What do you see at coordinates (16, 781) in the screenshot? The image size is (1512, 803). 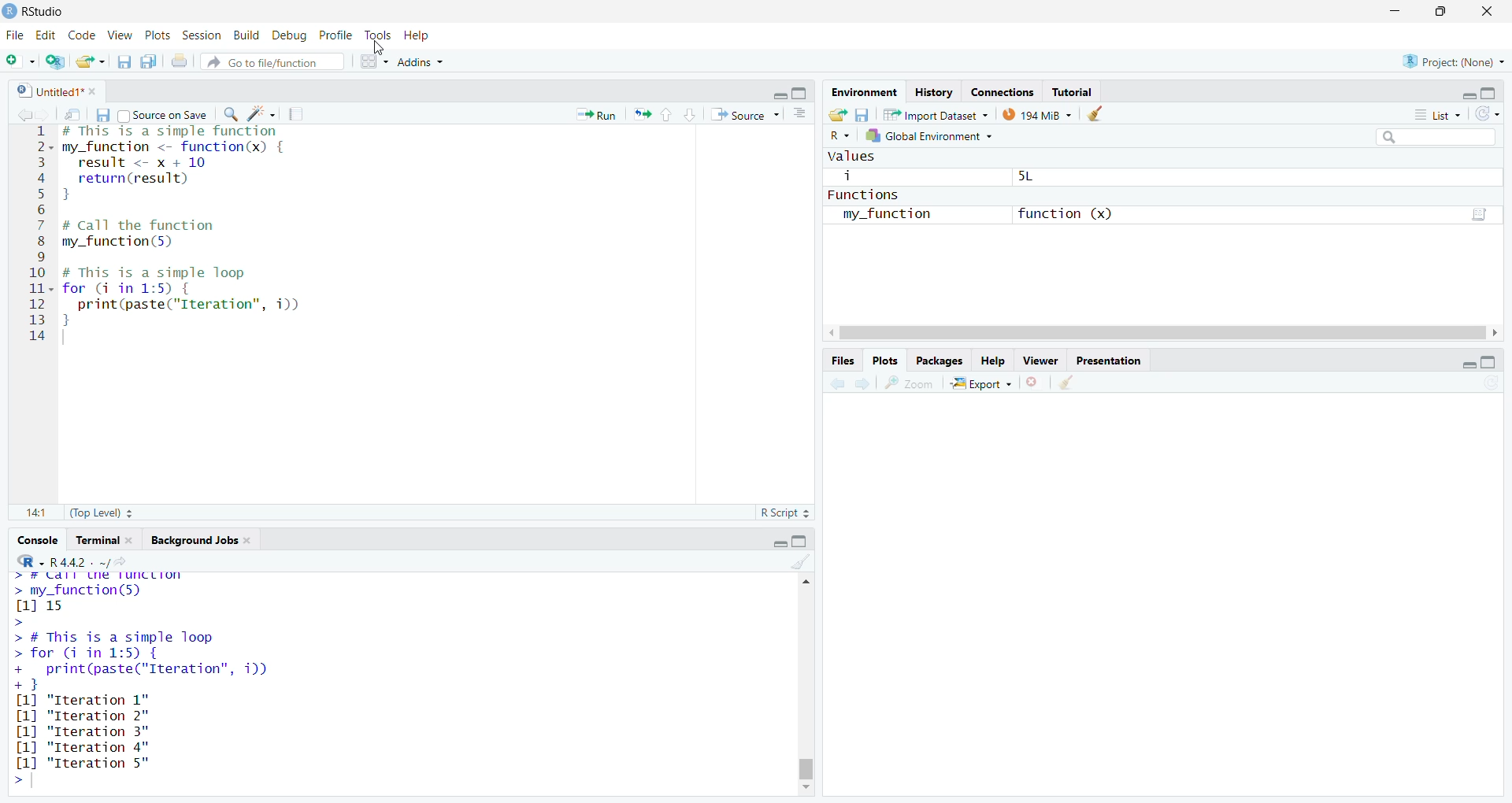 I see `prompt cursor` at bounding box center [16, 781].